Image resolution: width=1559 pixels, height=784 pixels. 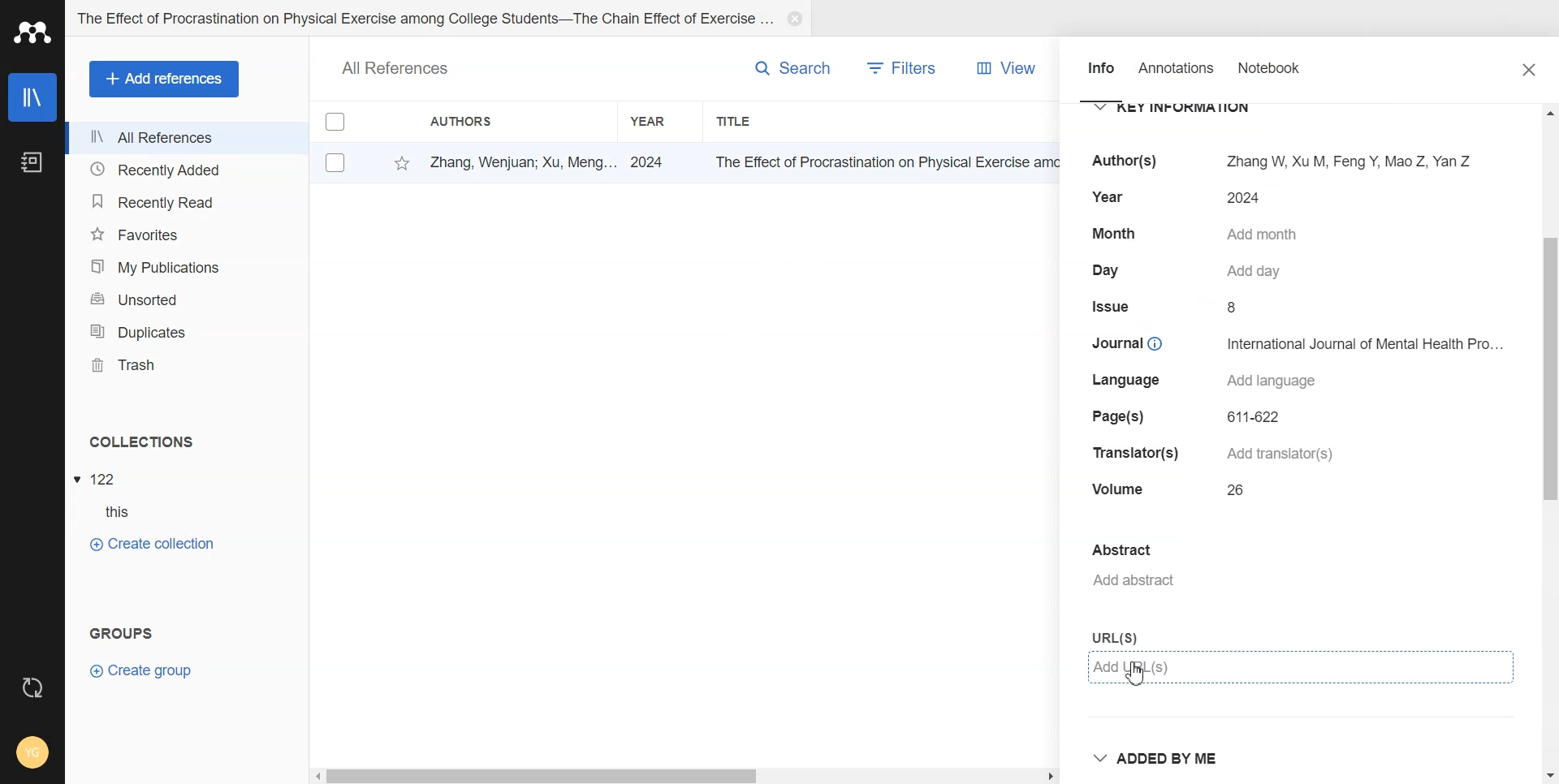 What do you see at coordinates (338, 127) in the screenshot?
I see `Check box` at bounding box center [338, 127].